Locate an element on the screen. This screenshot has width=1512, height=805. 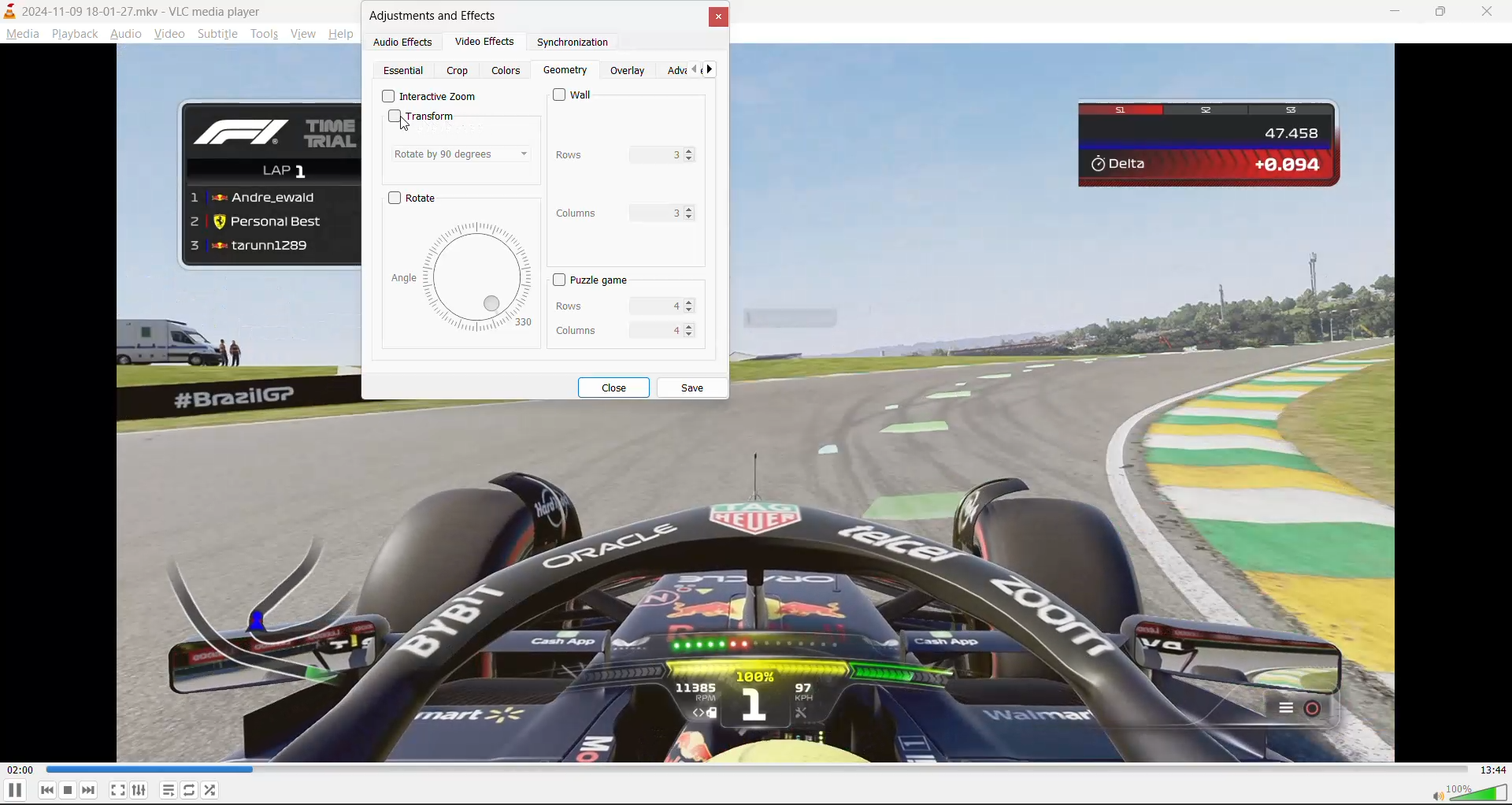
track slider is located at coordinates (754, 770).